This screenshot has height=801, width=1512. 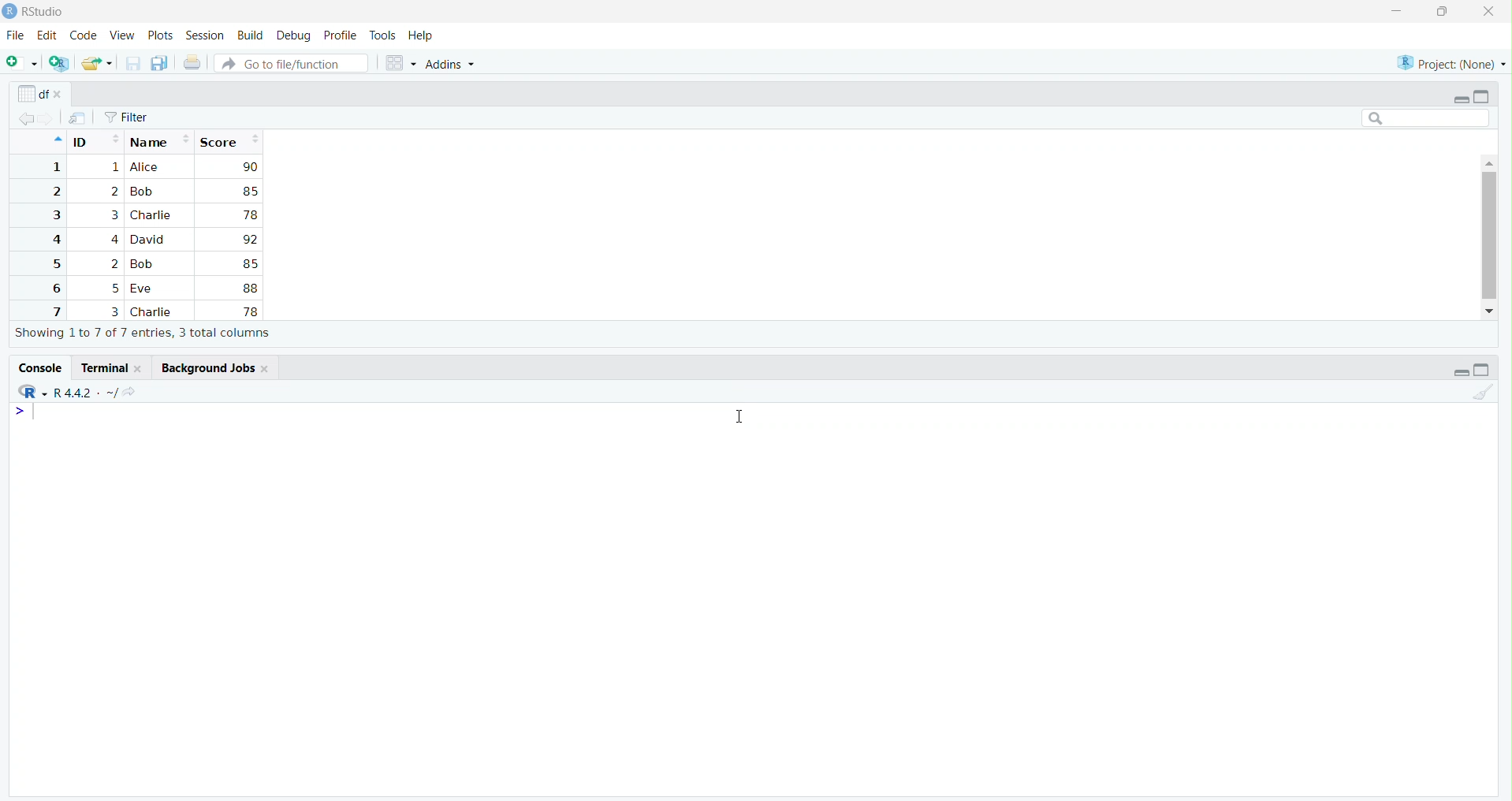 What do you see at coordinates (1460, 372) in the screenshot?
I see `minimize` at bounding box center [1460, 372].